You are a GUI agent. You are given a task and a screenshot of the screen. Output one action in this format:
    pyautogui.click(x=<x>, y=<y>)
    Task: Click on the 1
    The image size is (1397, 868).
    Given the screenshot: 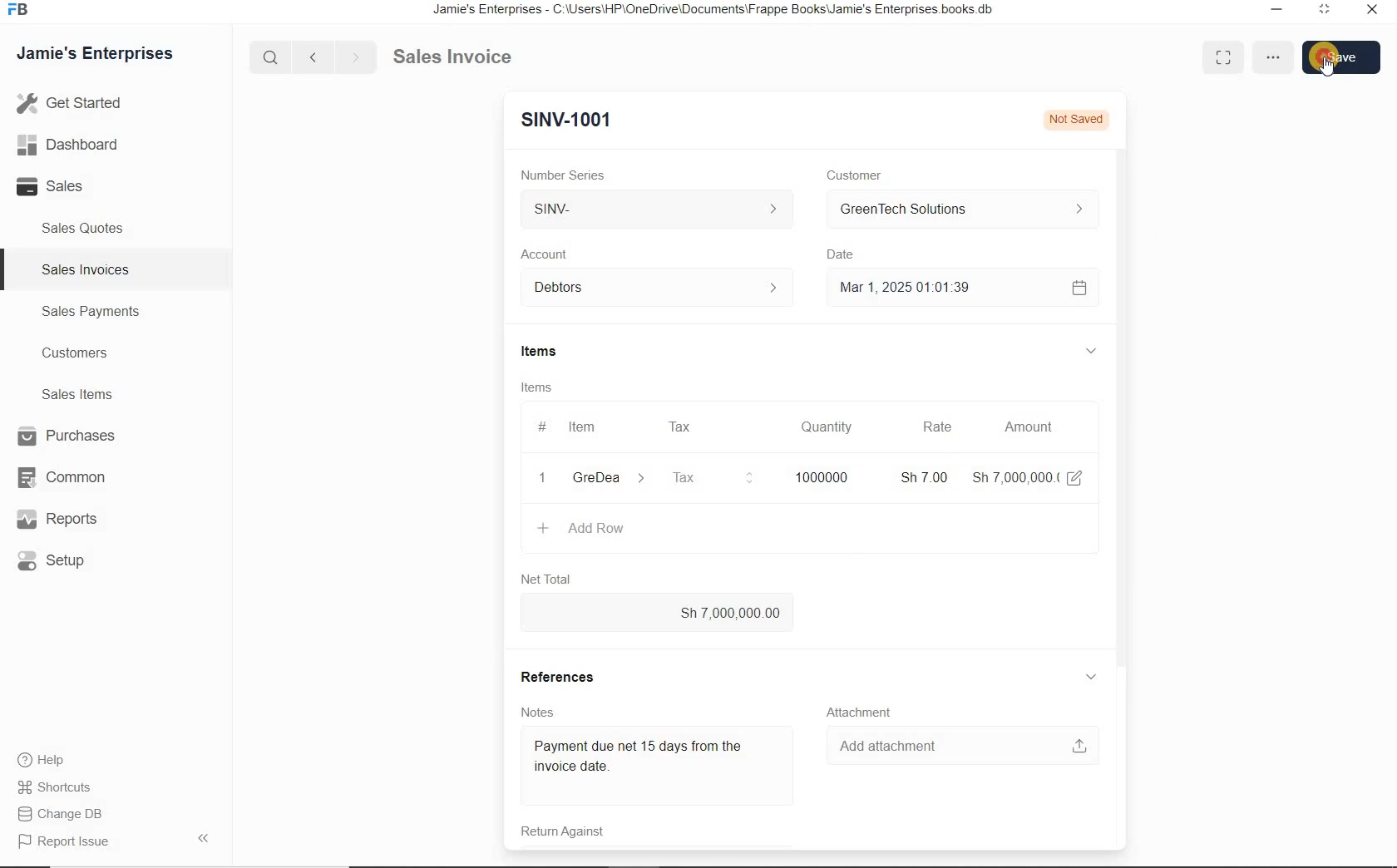 What is the action you would take?
    pyautogui.click(x=543, y=478)
    